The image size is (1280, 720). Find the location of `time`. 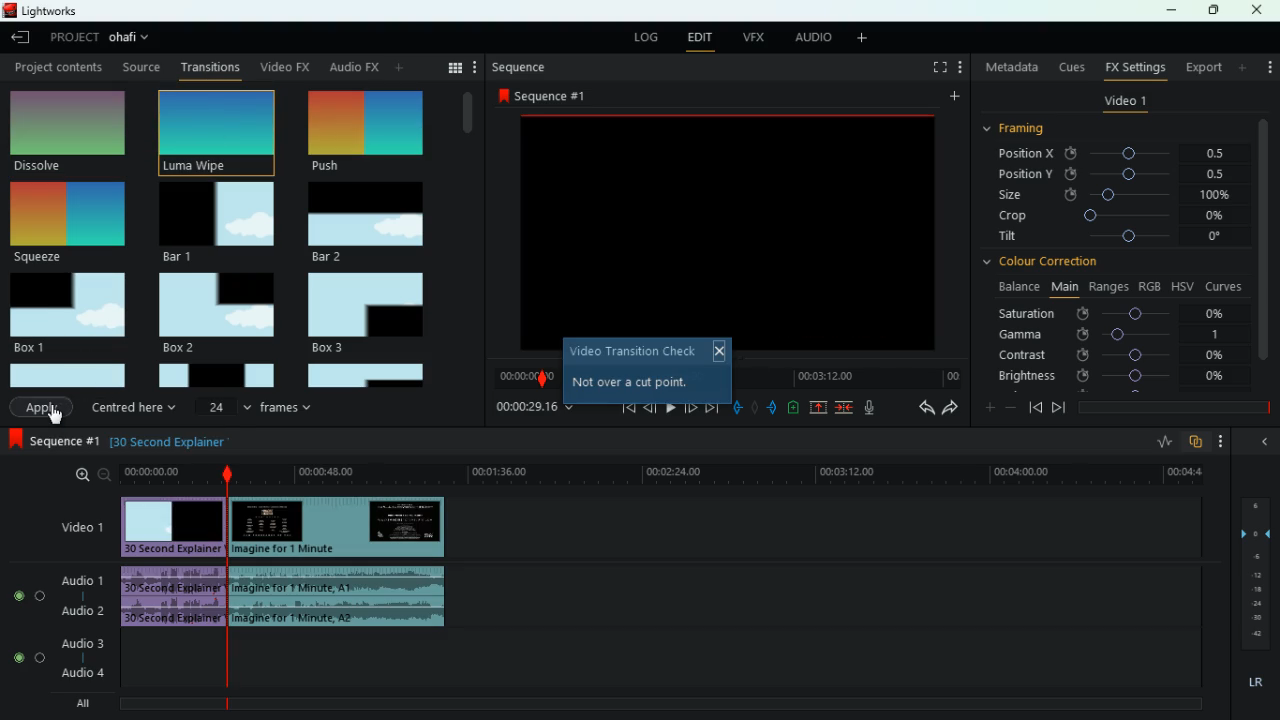

time is located at coordinates (847, 377).